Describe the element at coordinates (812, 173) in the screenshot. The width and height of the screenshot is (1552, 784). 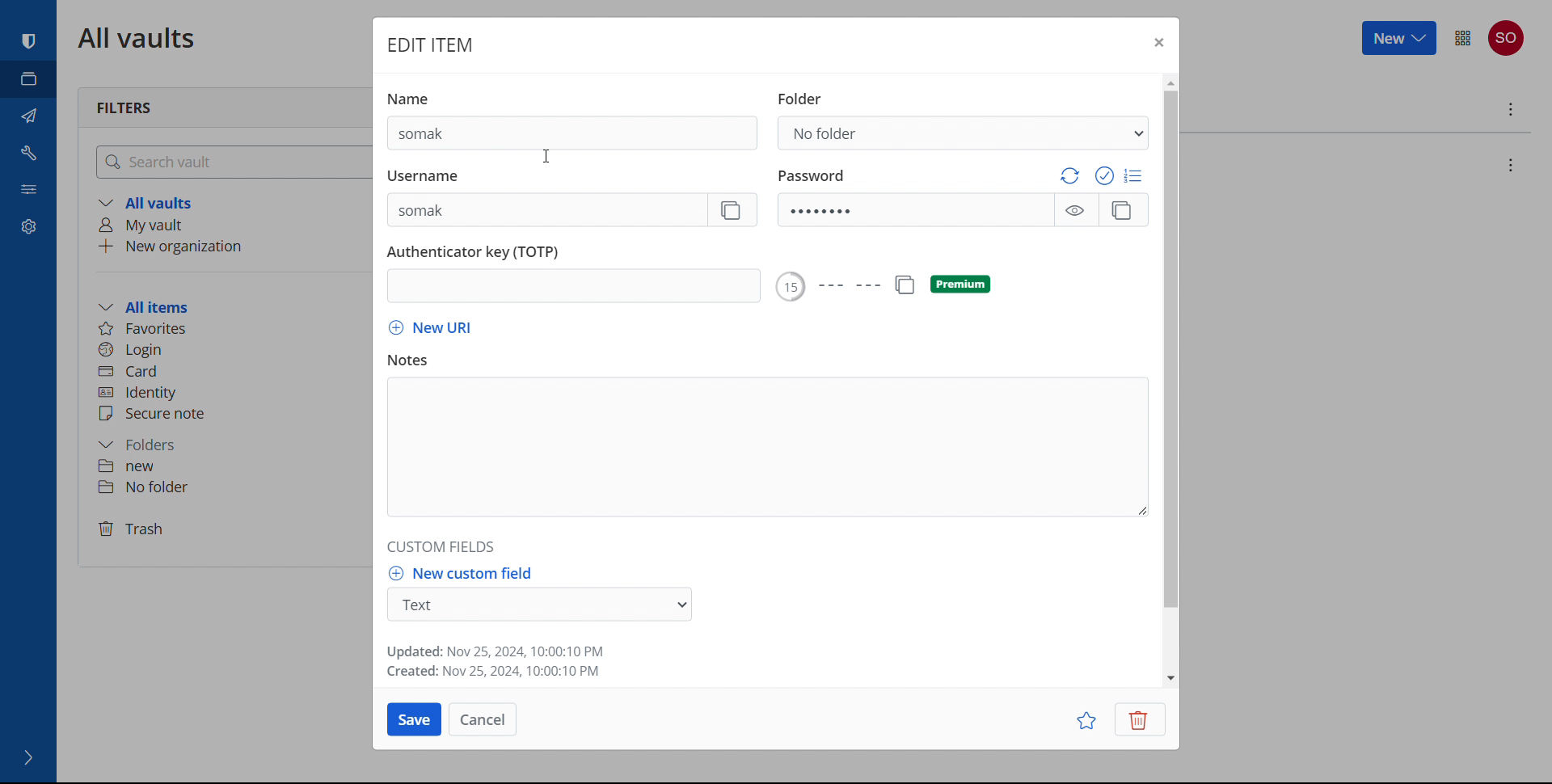
I see `password` at that location.